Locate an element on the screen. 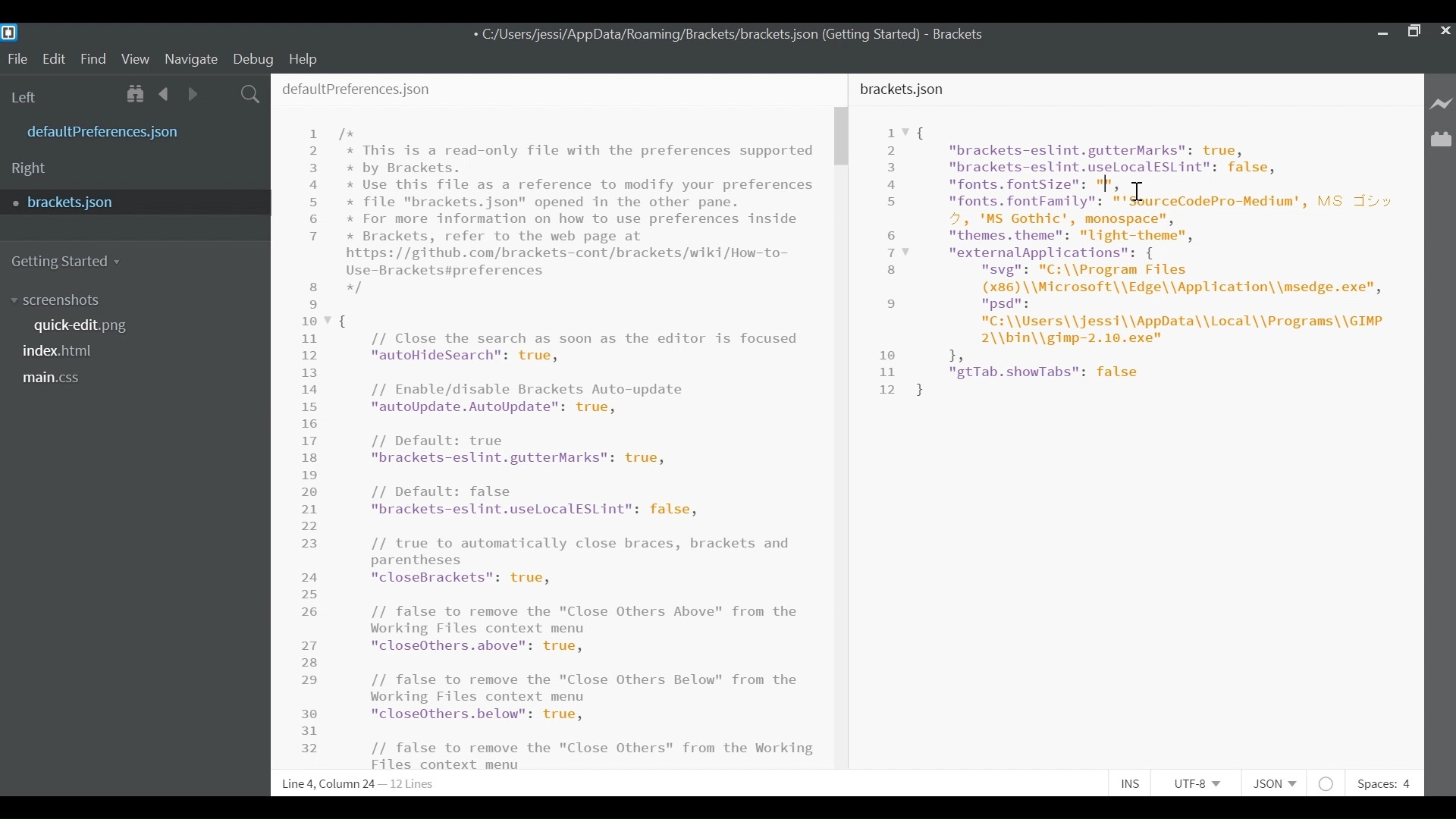 The height and width of the screenshot is (819, 1456). Debug is located at coordinates (252, 59).